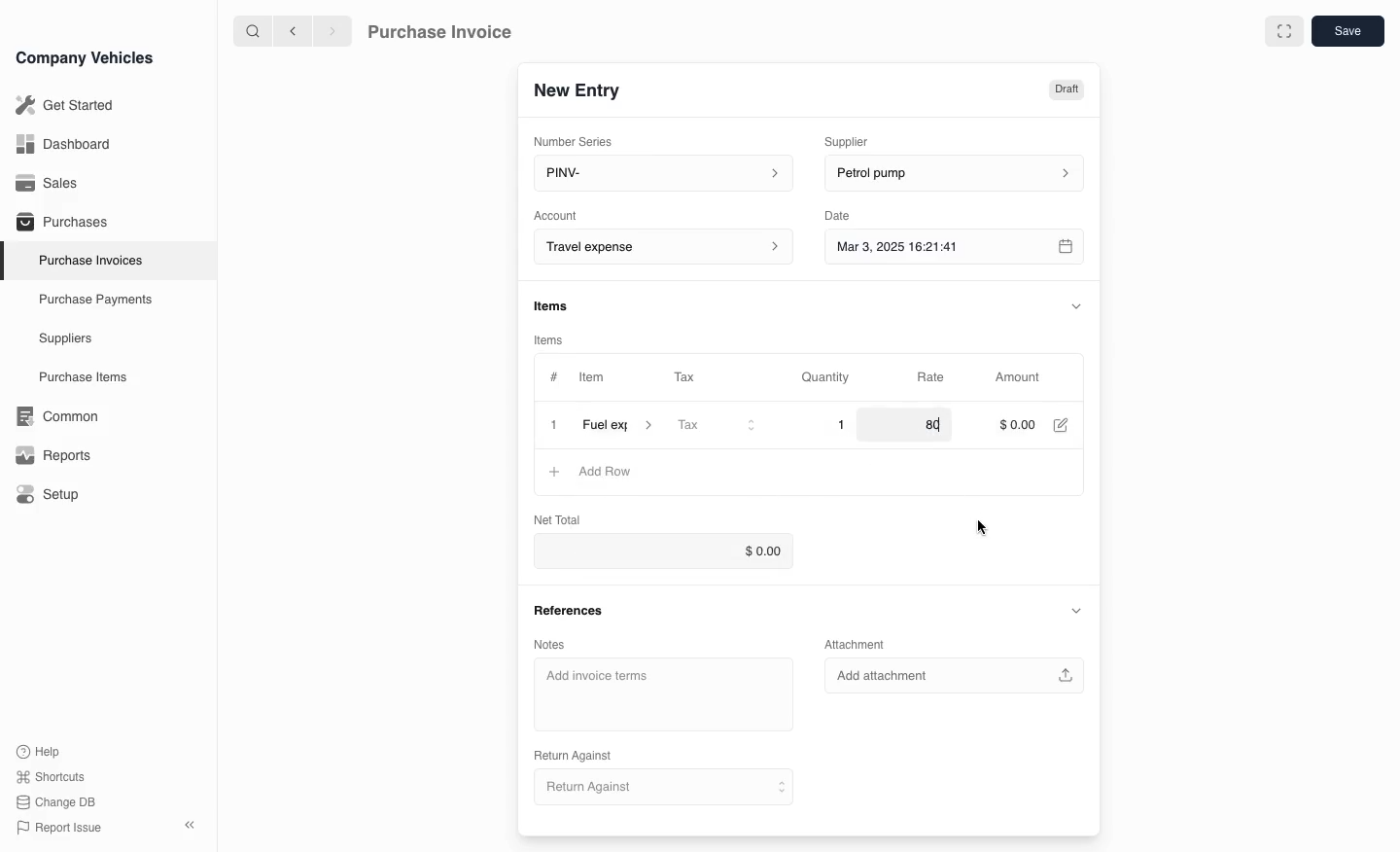 The height and width of the screenshot is (852, 1400). What do you see at coordinates (556, 214) in the screenshot?
I see `Account` at bounding box center [556, 214].